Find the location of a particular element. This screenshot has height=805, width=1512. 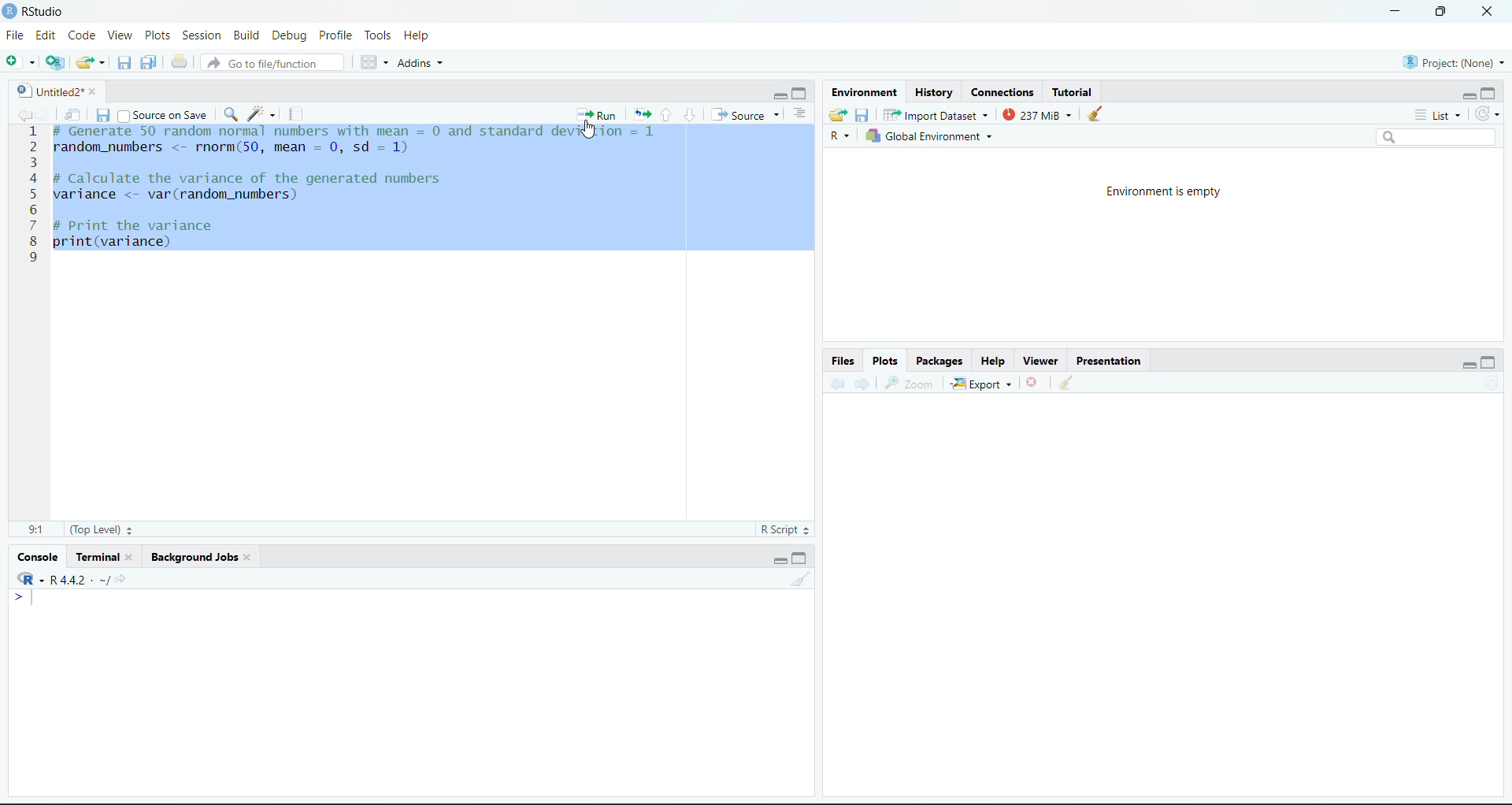

minimize is located at coordinates (1395, 12).